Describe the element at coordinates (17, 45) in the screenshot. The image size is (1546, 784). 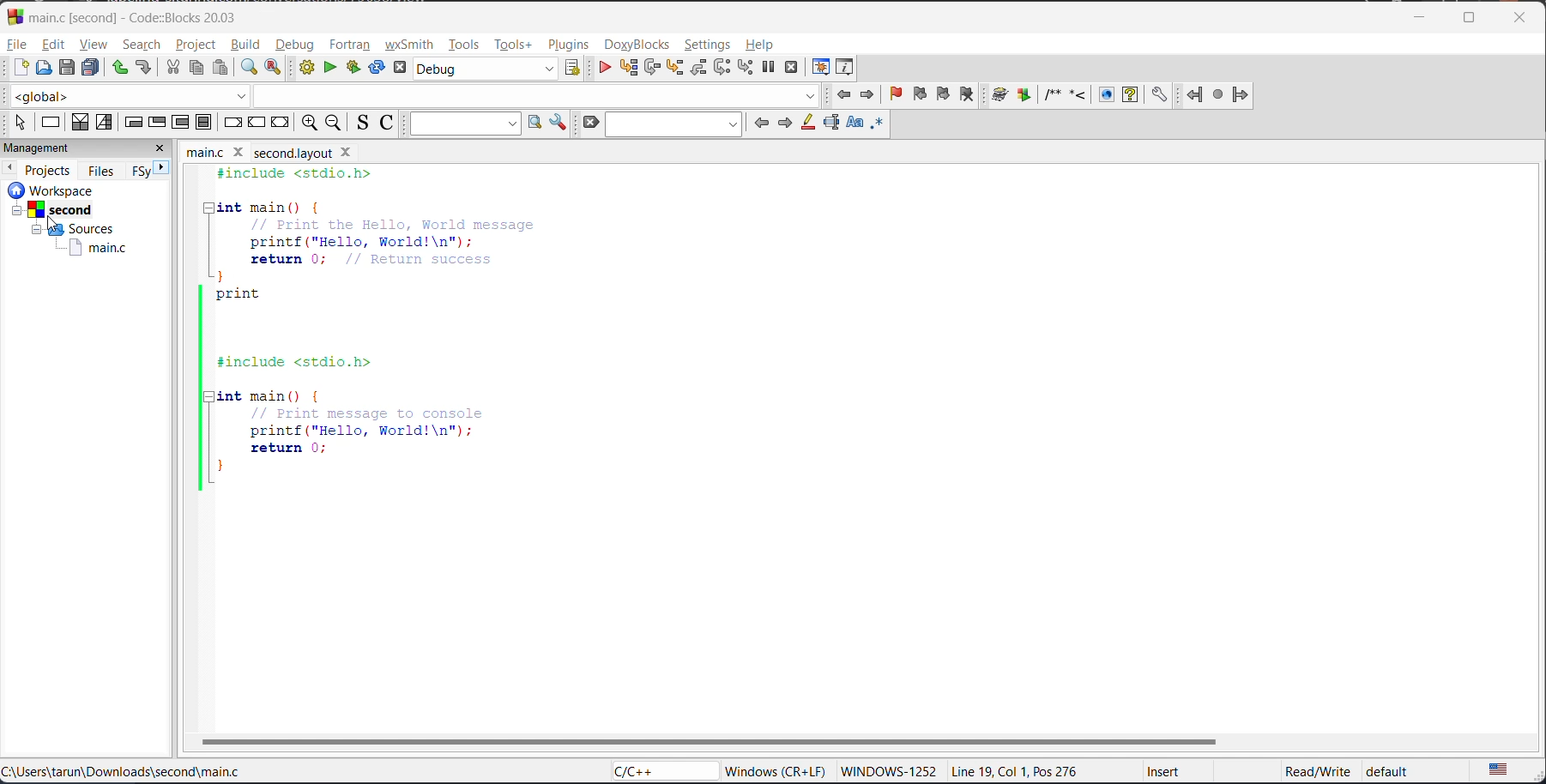
I see `file` at that location.